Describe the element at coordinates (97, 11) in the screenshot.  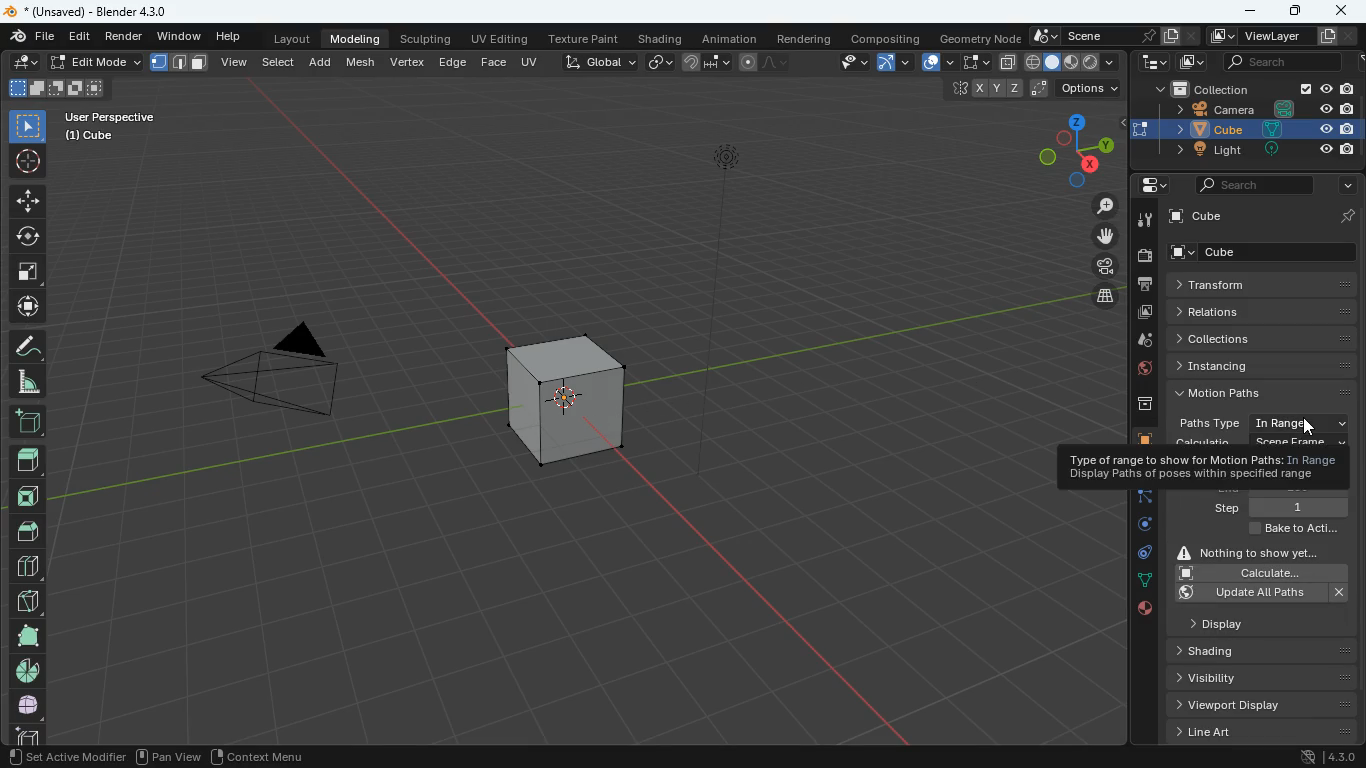
I see `blender` at that location.